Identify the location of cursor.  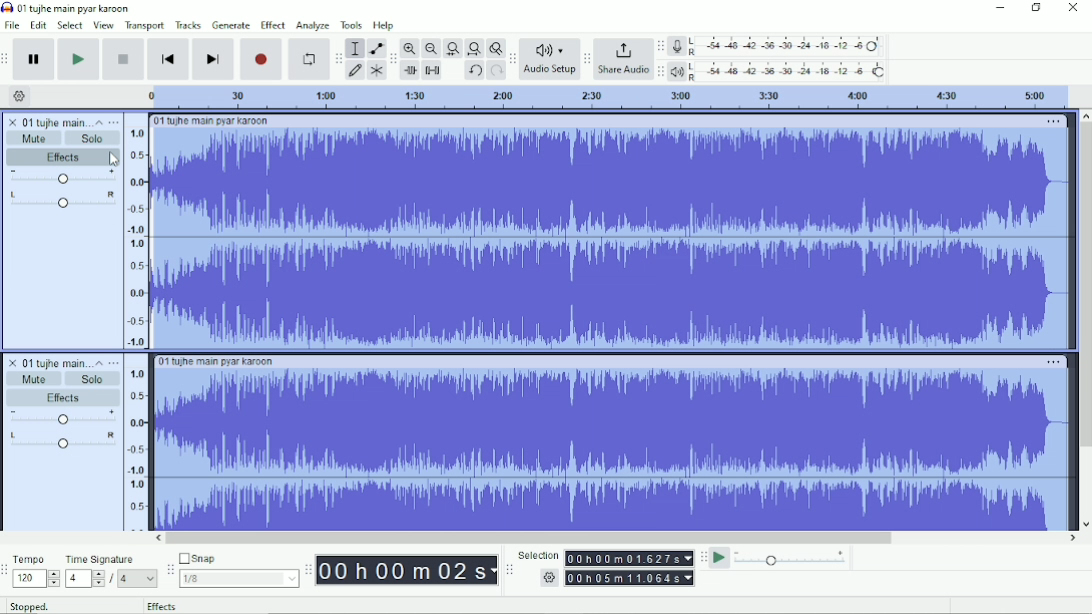
(115, 161).